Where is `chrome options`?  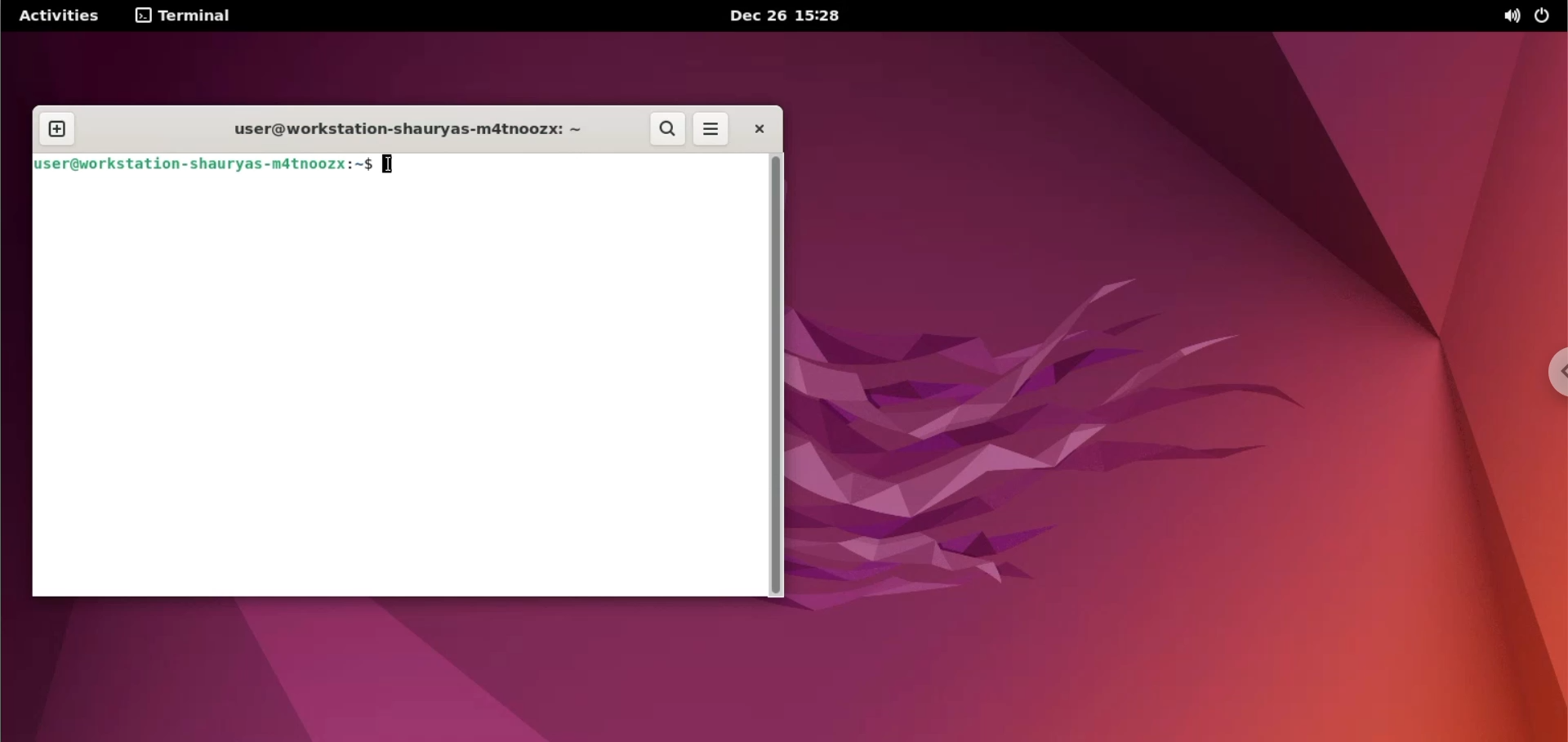 chrome options is located at coordinates (1549, 372).